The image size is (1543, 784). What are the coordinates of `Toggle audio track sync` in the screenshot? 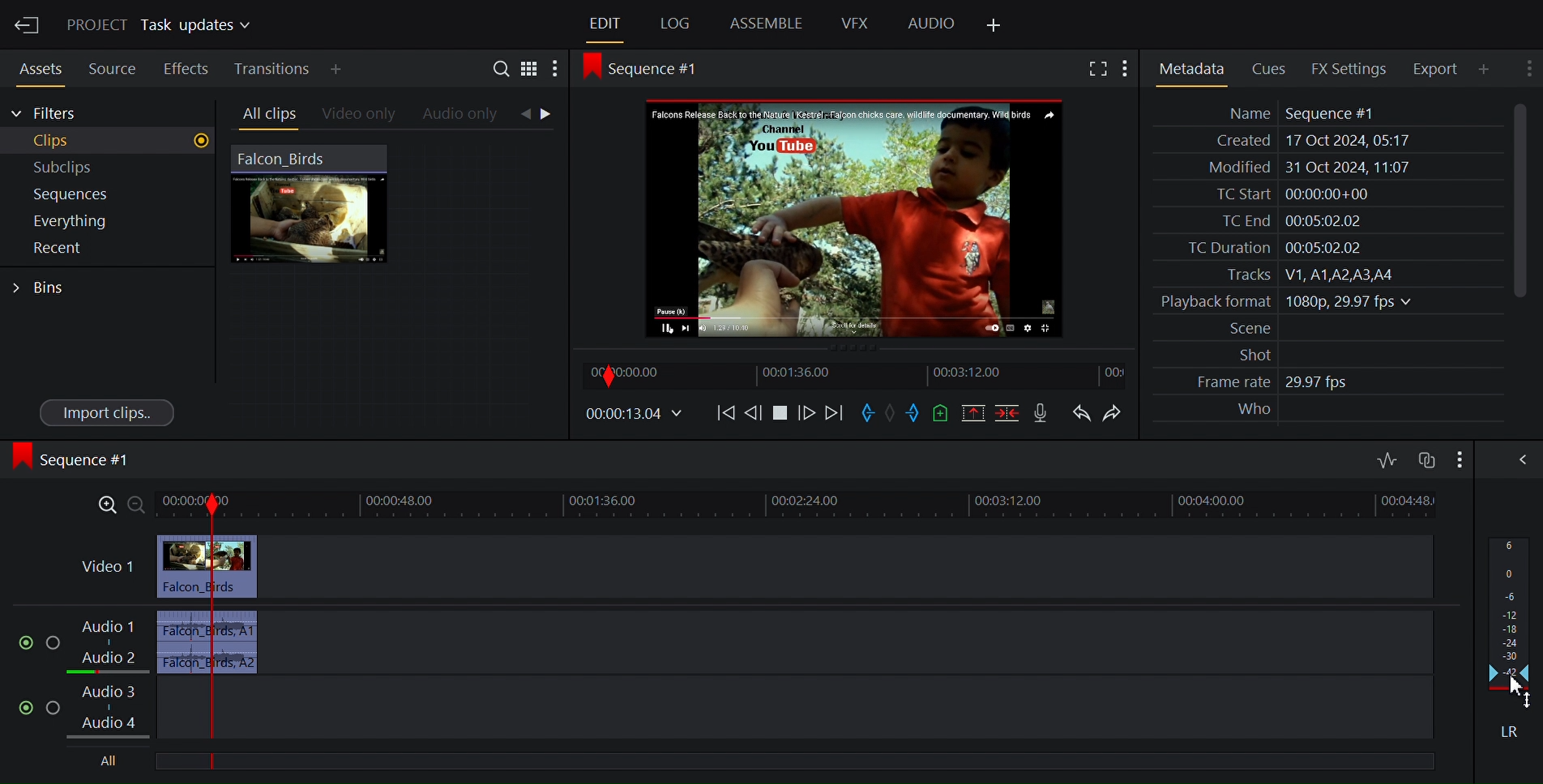 It's located at (1425, 458).